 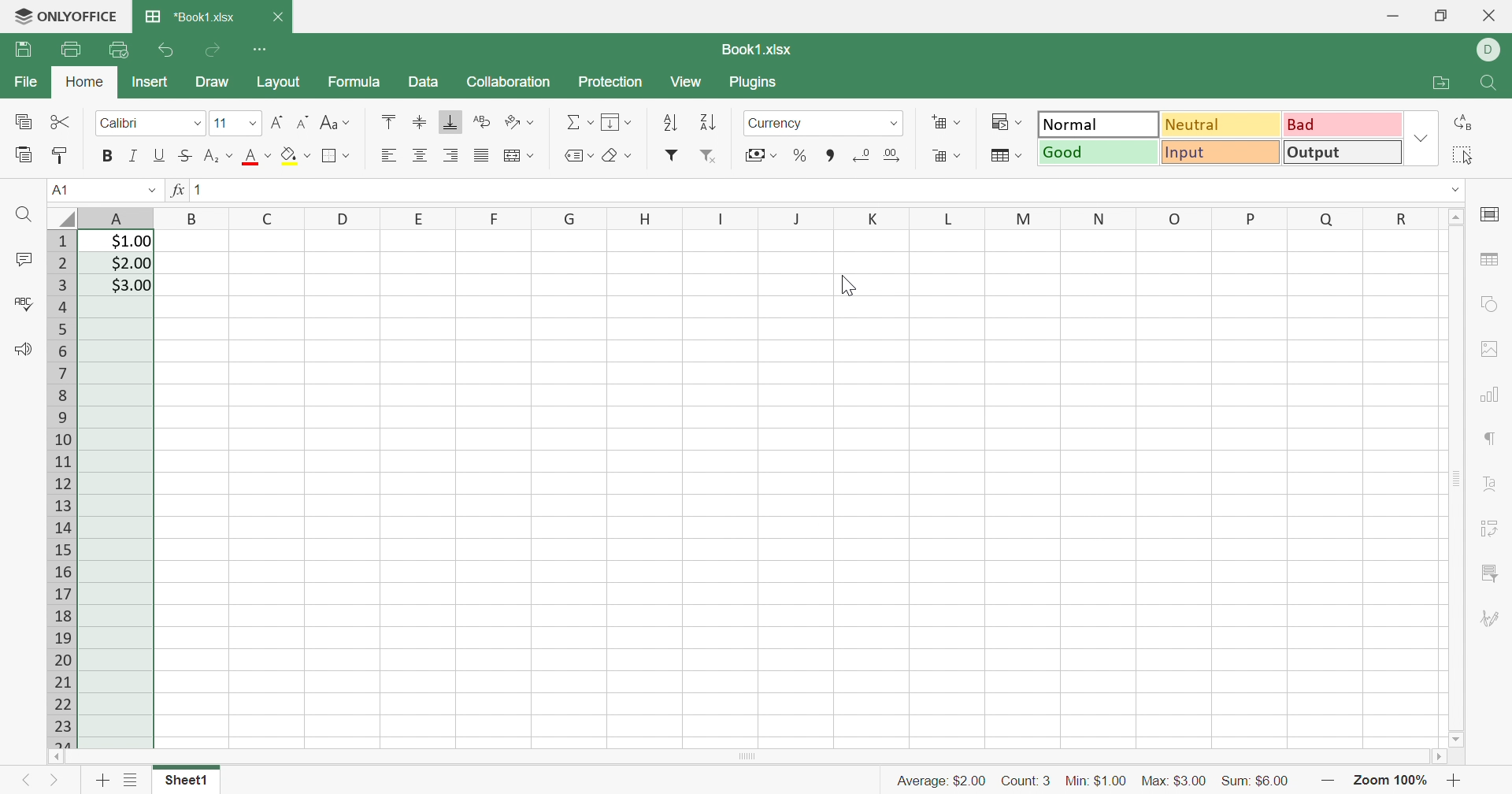 I want to click on Accounting style, so click(x=760, y=157).